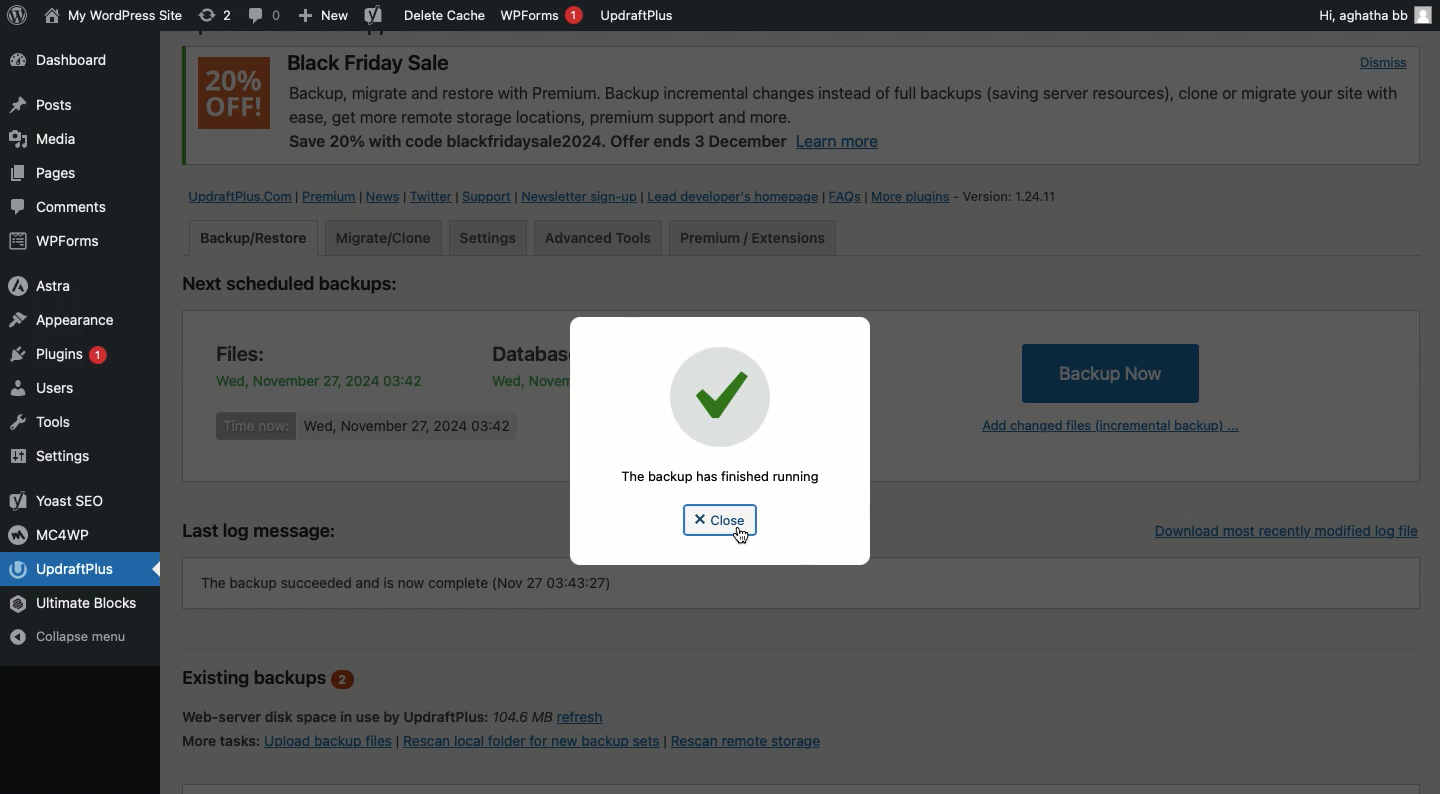  I want to click on Wed, November 27, 2024 03:42, so click(525, 379).